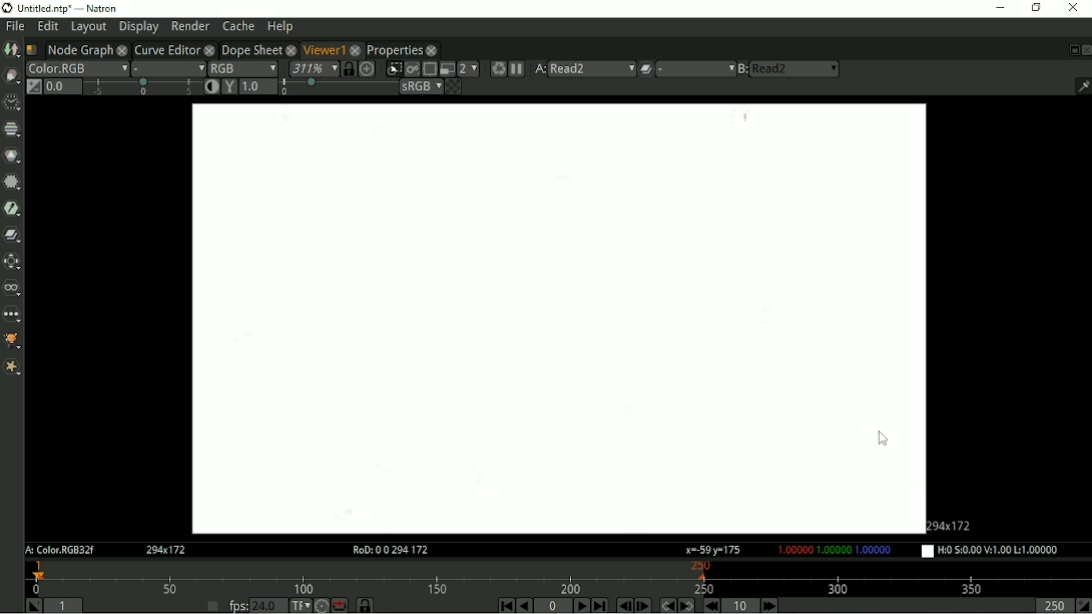 The height and width of the screenshot is (614, 1092). Describe the element at coordinates (367, 68) in the screenshot. I see `Scales the image` at that location.